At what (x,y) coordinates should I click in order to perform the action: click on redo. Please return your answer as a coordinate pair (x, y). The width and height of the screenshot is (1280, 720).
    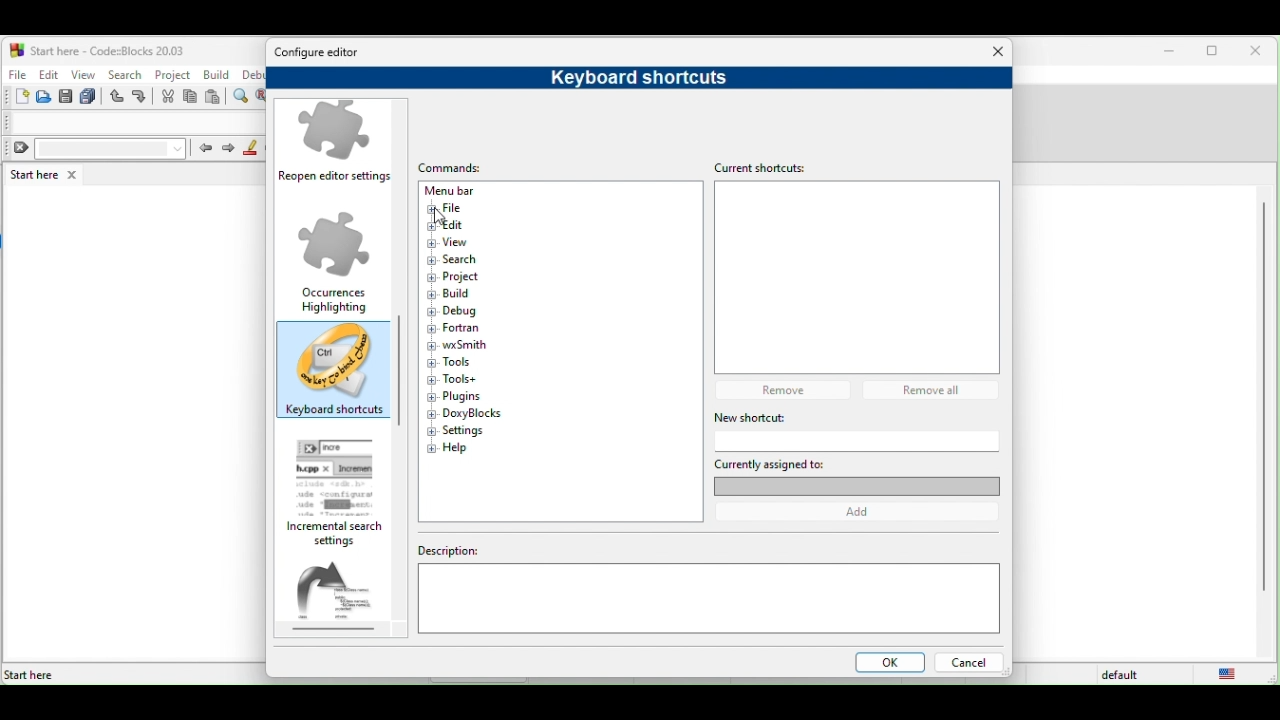
    Looking at the image, I should click on (142, 97).